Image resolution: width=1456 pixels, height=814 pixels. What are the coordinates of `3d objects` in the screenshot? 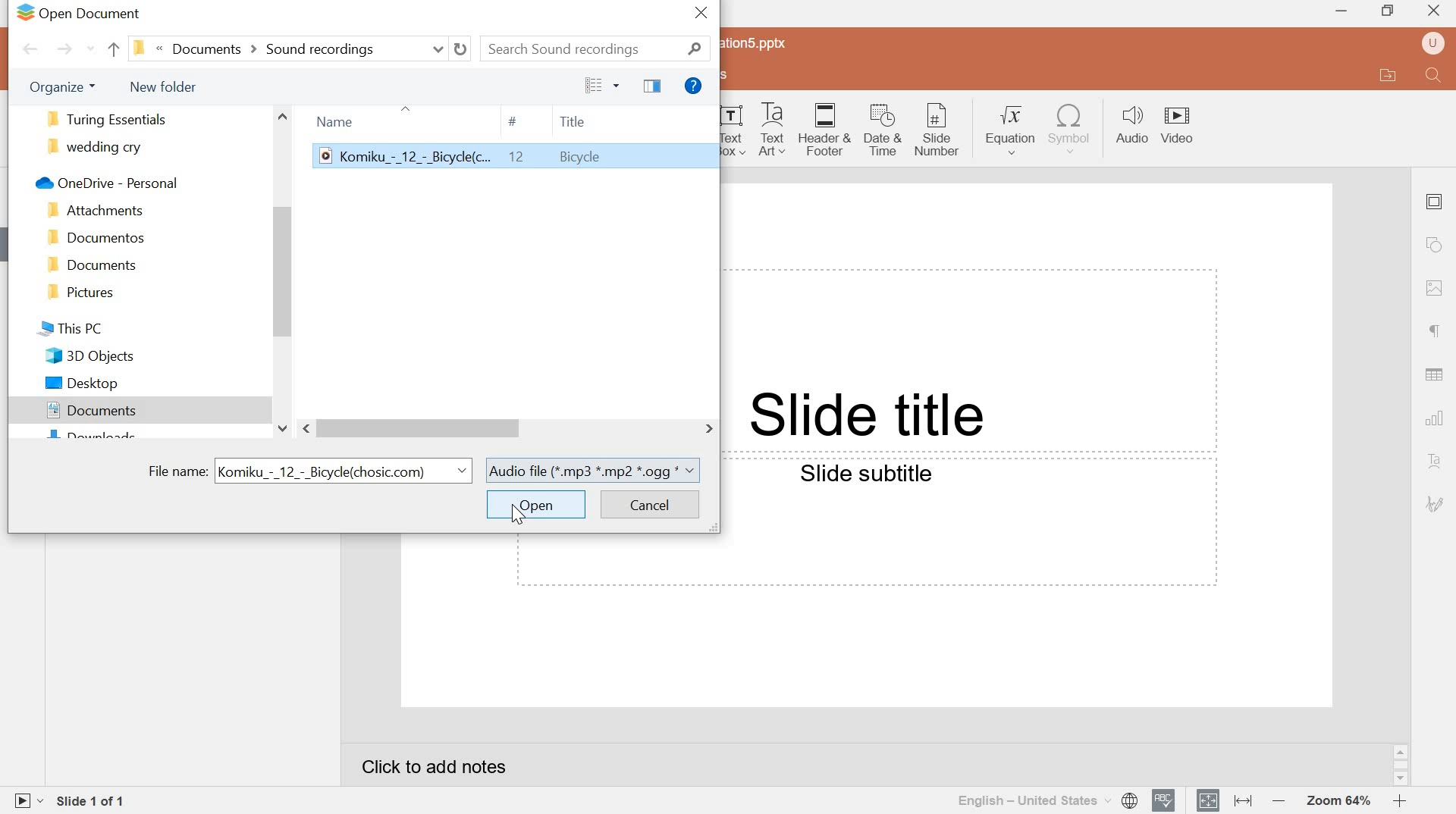 It's located at (89, 356).